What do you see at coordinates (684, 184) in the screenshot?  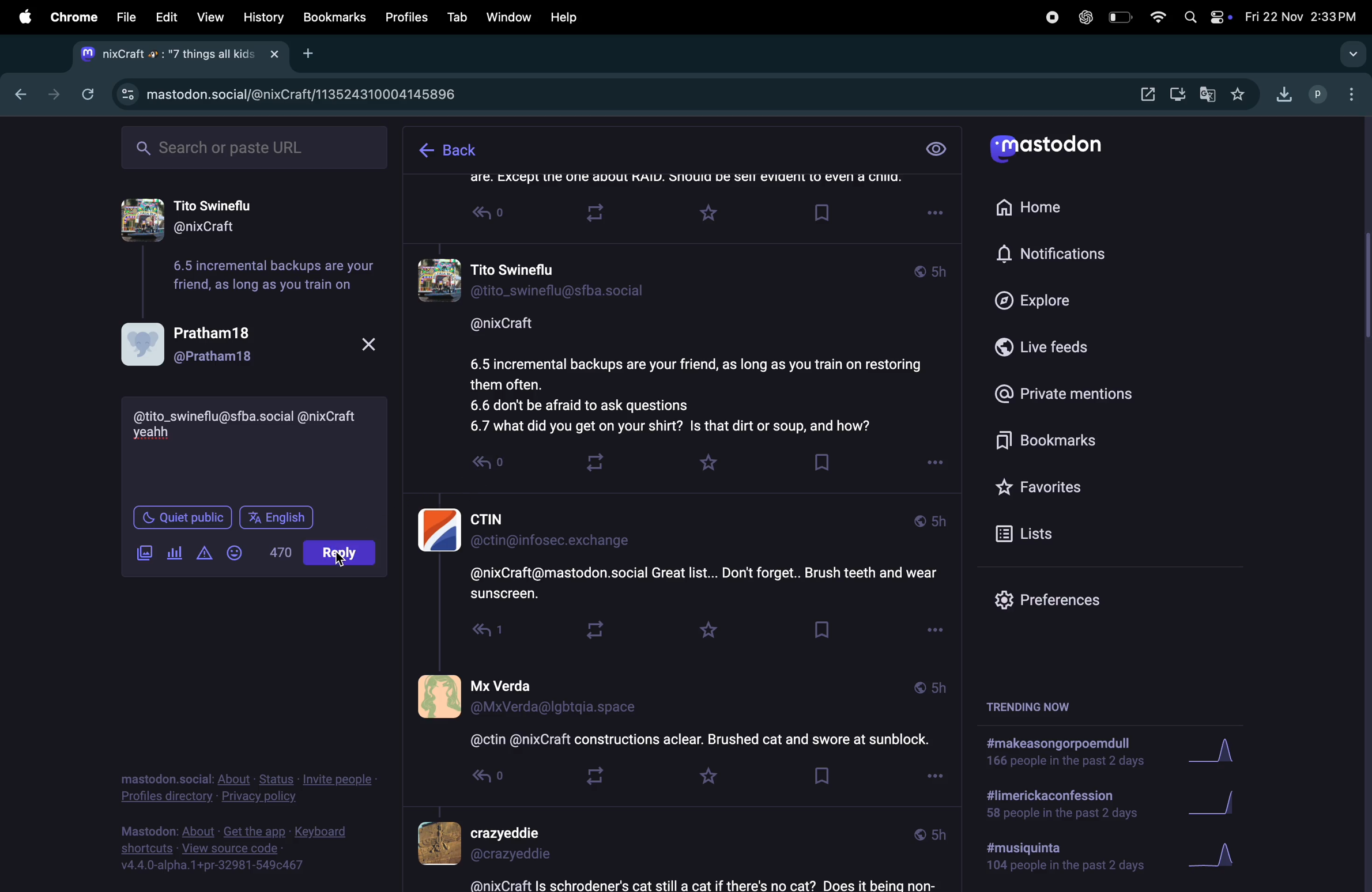 I see `thread` at bounding box center [684, 184].